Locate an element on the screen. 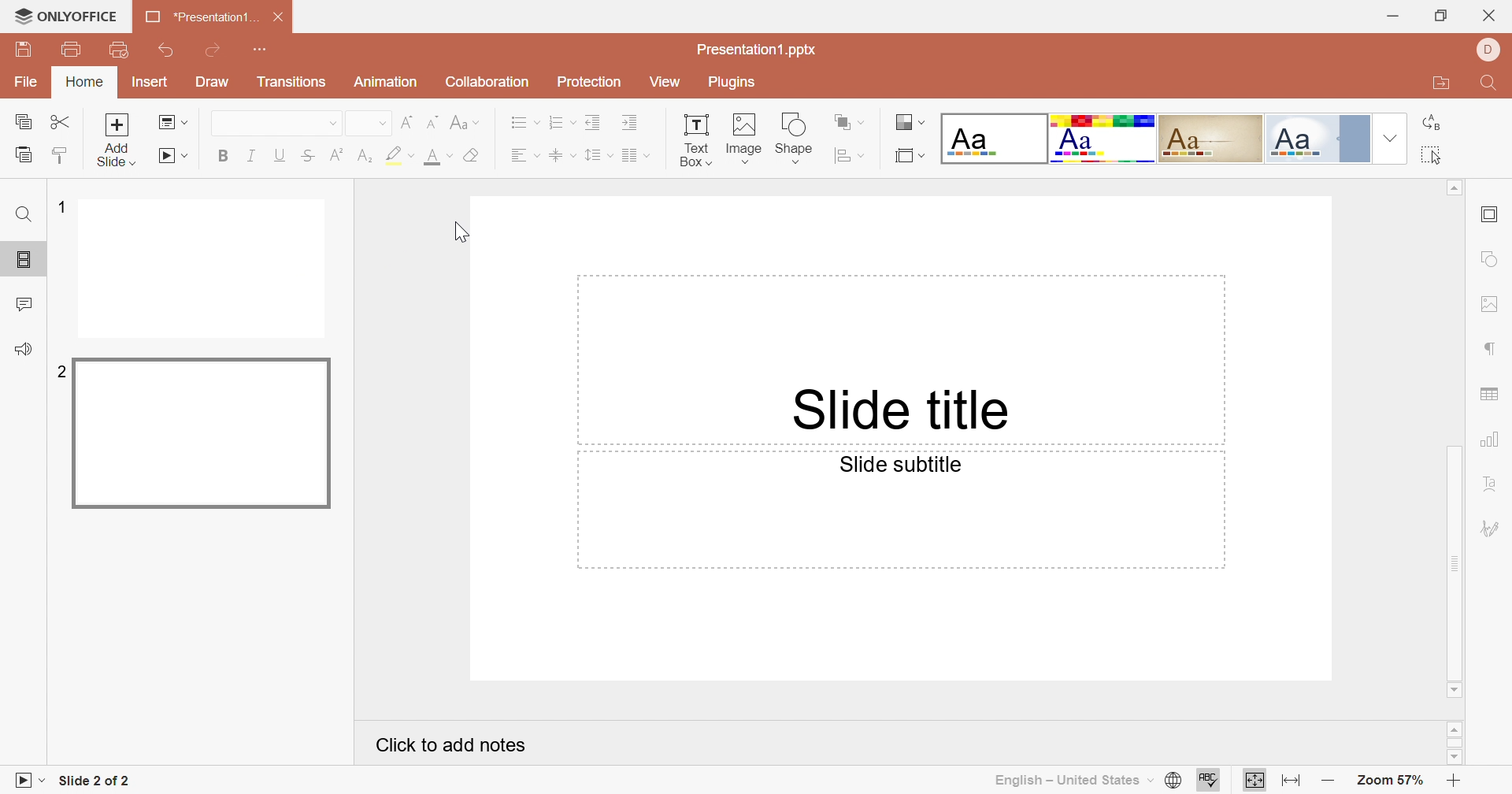 The width and height of the screenshot is (1512, 794). Decrease indent is located at coordinates (598, 120).